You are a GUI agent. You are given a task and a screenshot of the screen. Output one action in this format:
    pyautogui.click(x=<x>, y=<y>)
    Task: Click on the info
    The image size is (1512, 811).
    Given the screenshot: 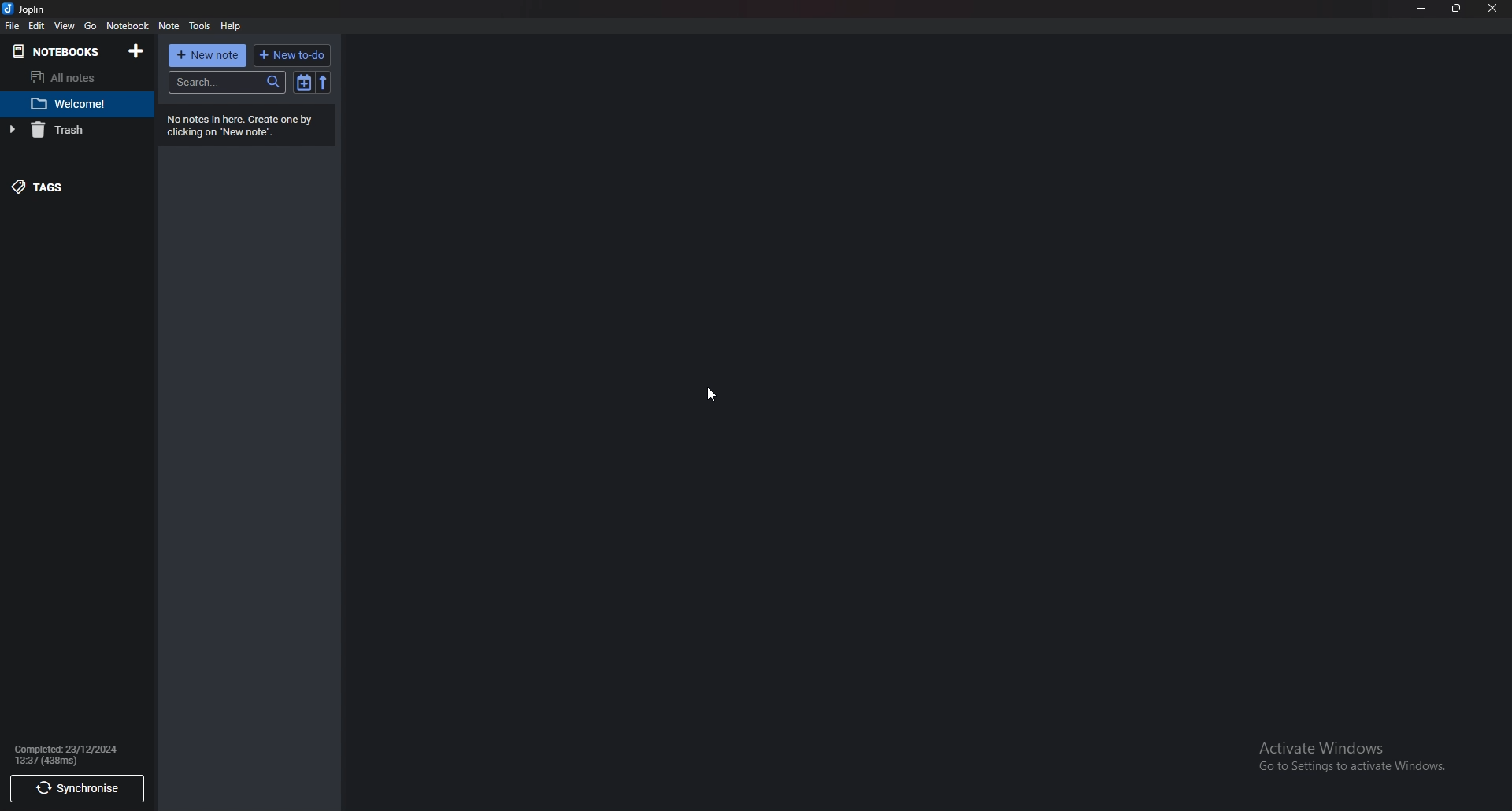 What is the action you would take?
    pyautogui.click(x=78, y=753)
    